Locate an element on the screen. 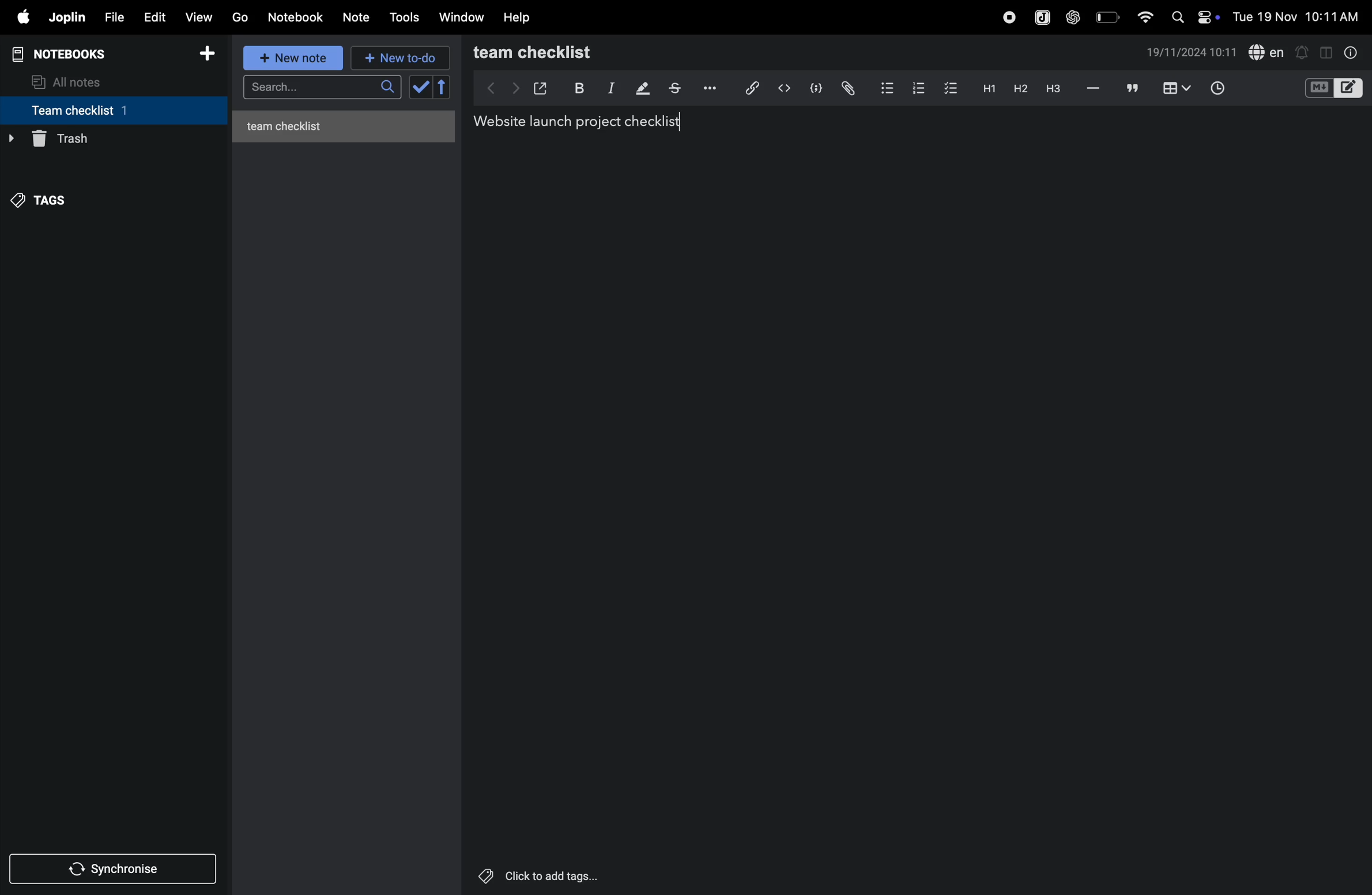  inline code is located at coordinates (784, 88).